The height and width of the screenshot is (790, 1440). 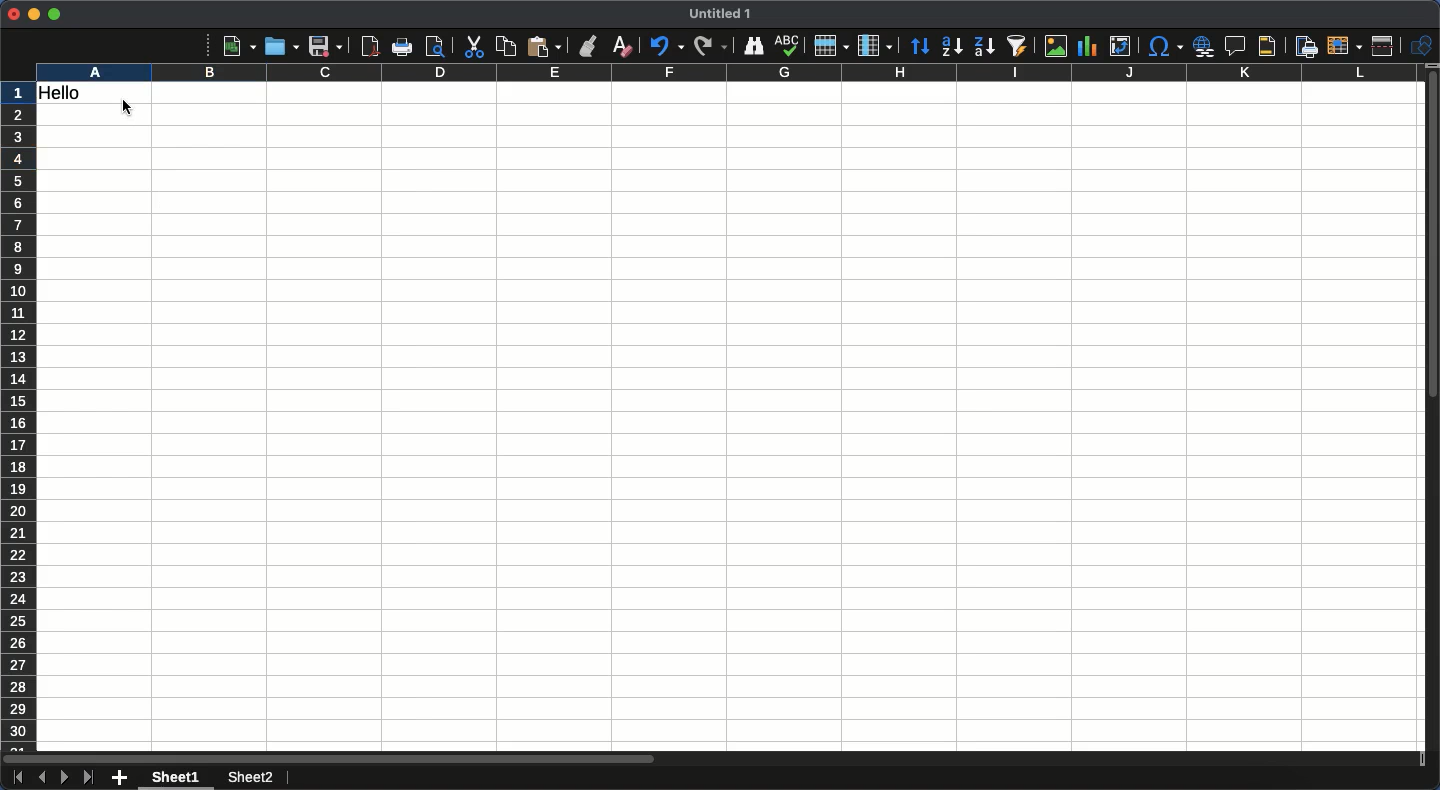 I want to click on Previous sheet, so click(x=41, y=777).